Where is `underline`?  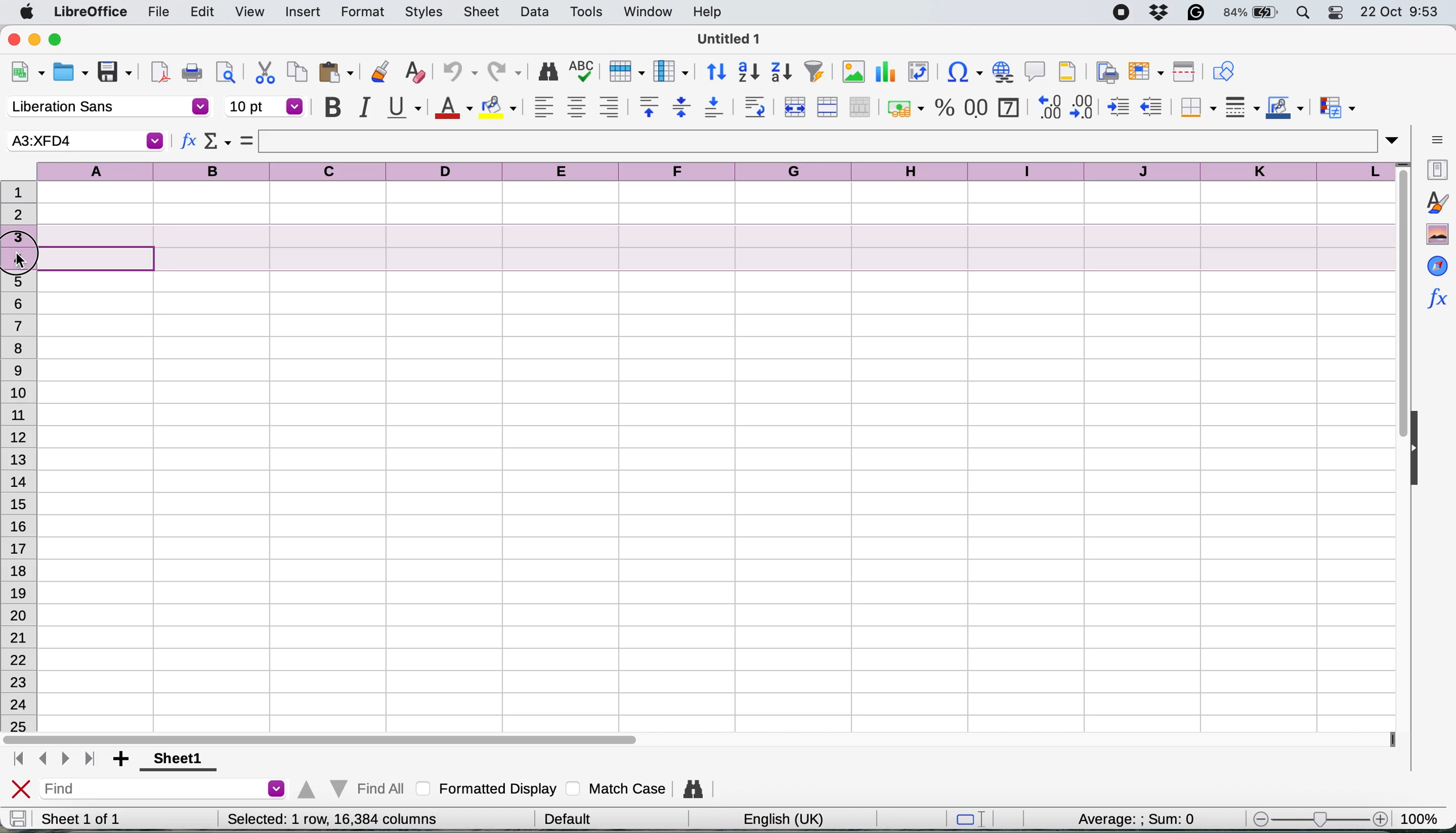 underline is located at coordinates (403, 106).